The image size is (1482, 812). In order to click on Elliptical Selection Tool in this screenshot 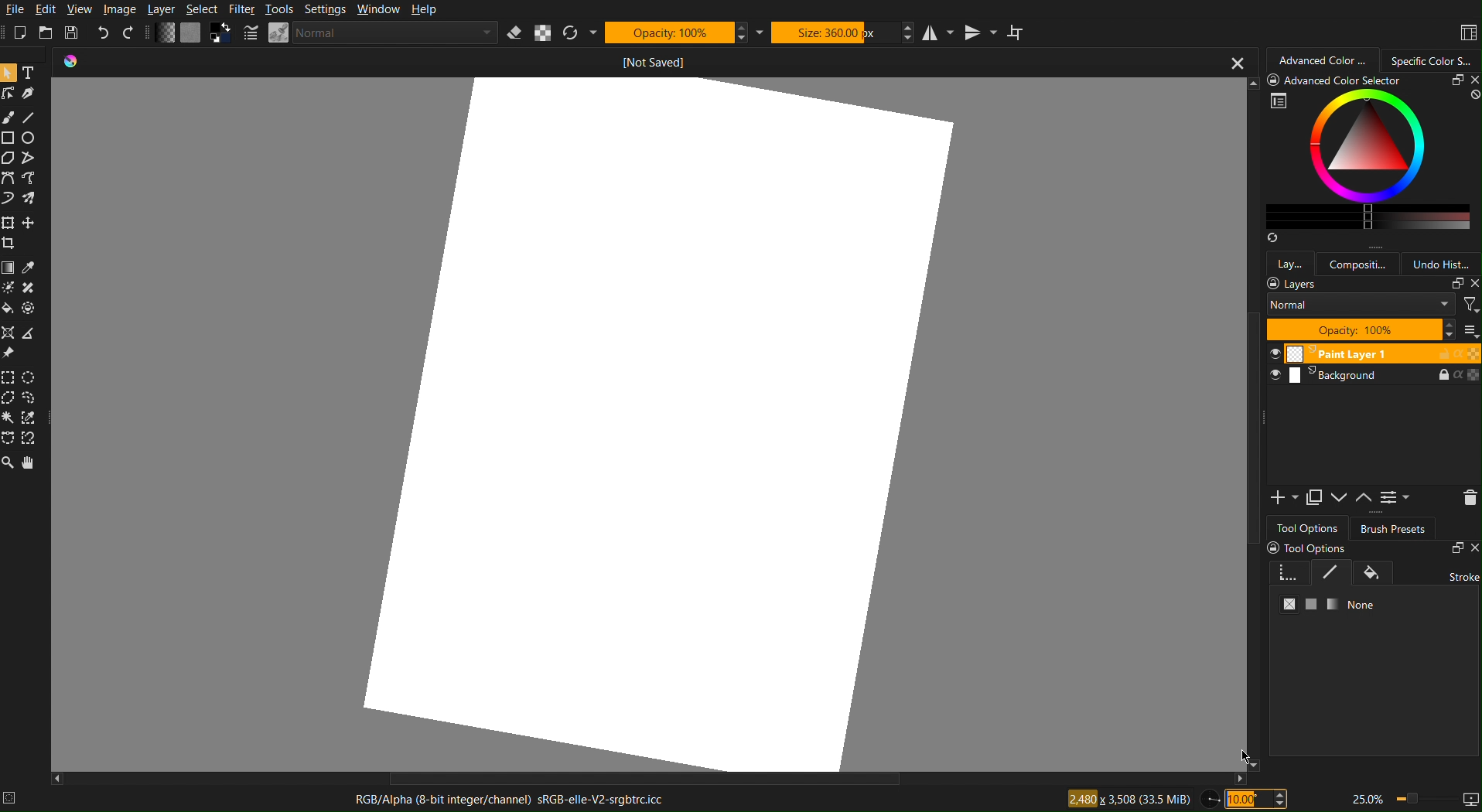, I will do `click(29, 378)`.